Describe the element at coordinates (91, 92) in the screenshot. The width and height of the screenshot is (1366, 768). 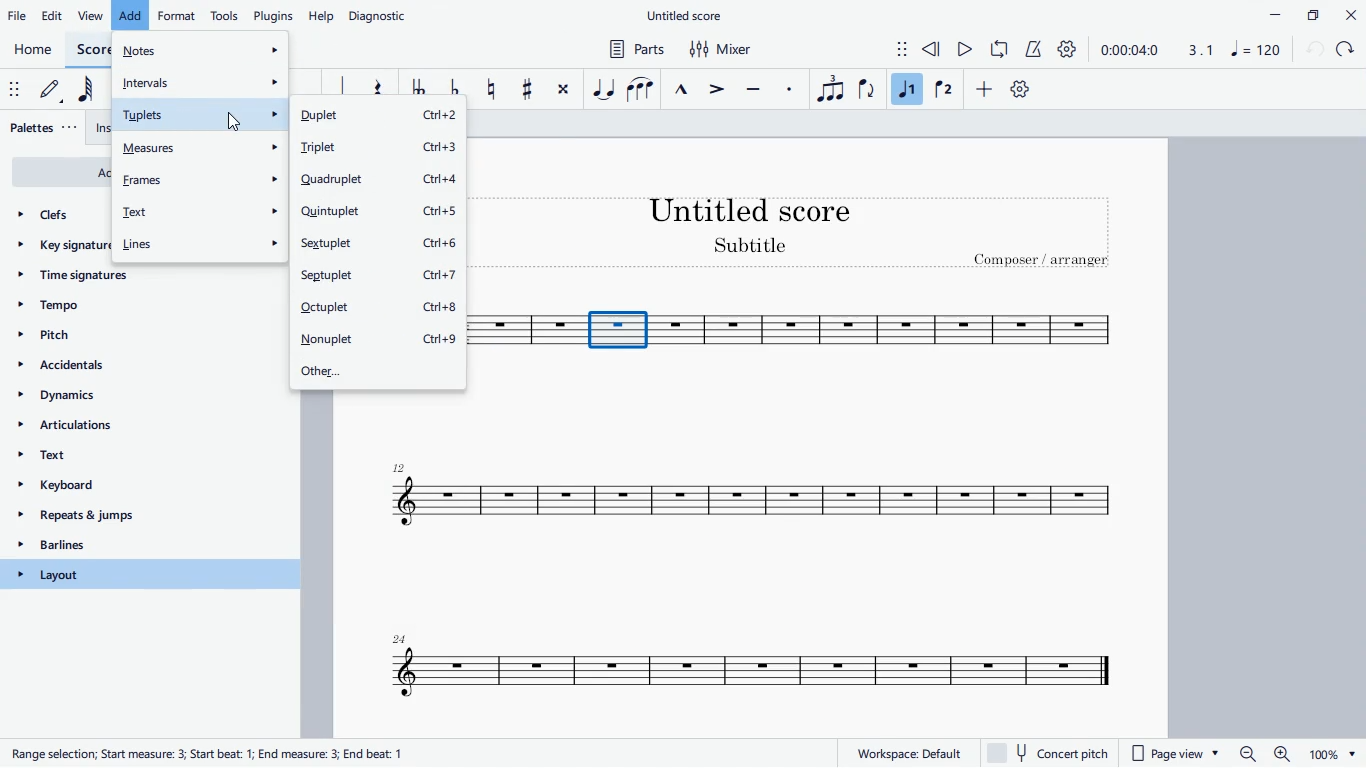
I see `64th note` at that location.